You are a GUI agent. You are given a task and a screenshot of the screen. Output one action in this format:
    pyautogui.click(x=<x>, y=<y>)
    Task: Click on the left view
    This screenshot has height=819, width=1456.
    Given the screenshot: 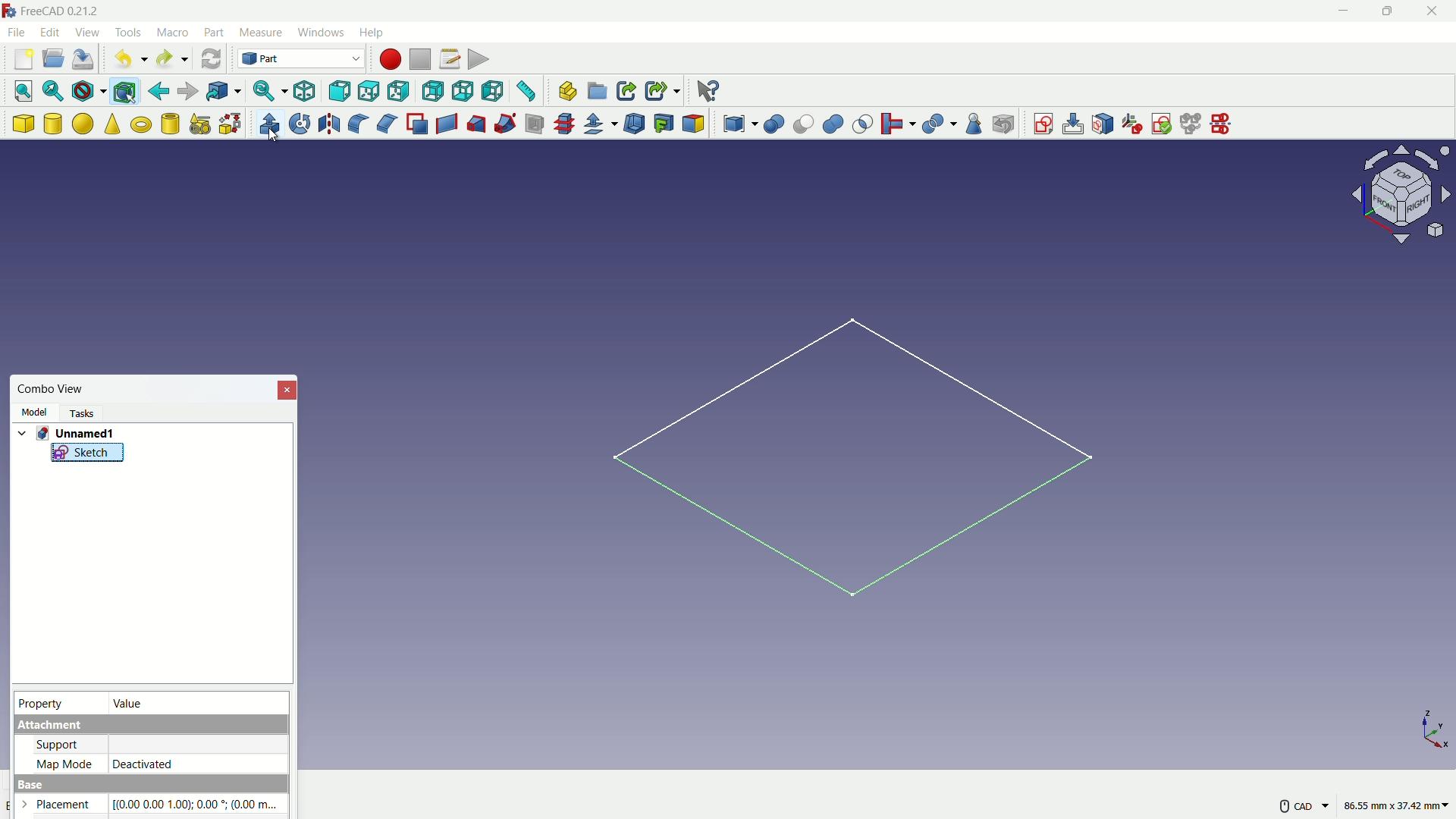 What is the action you would take?
    pyautogui.click(x=492, y=90)
    